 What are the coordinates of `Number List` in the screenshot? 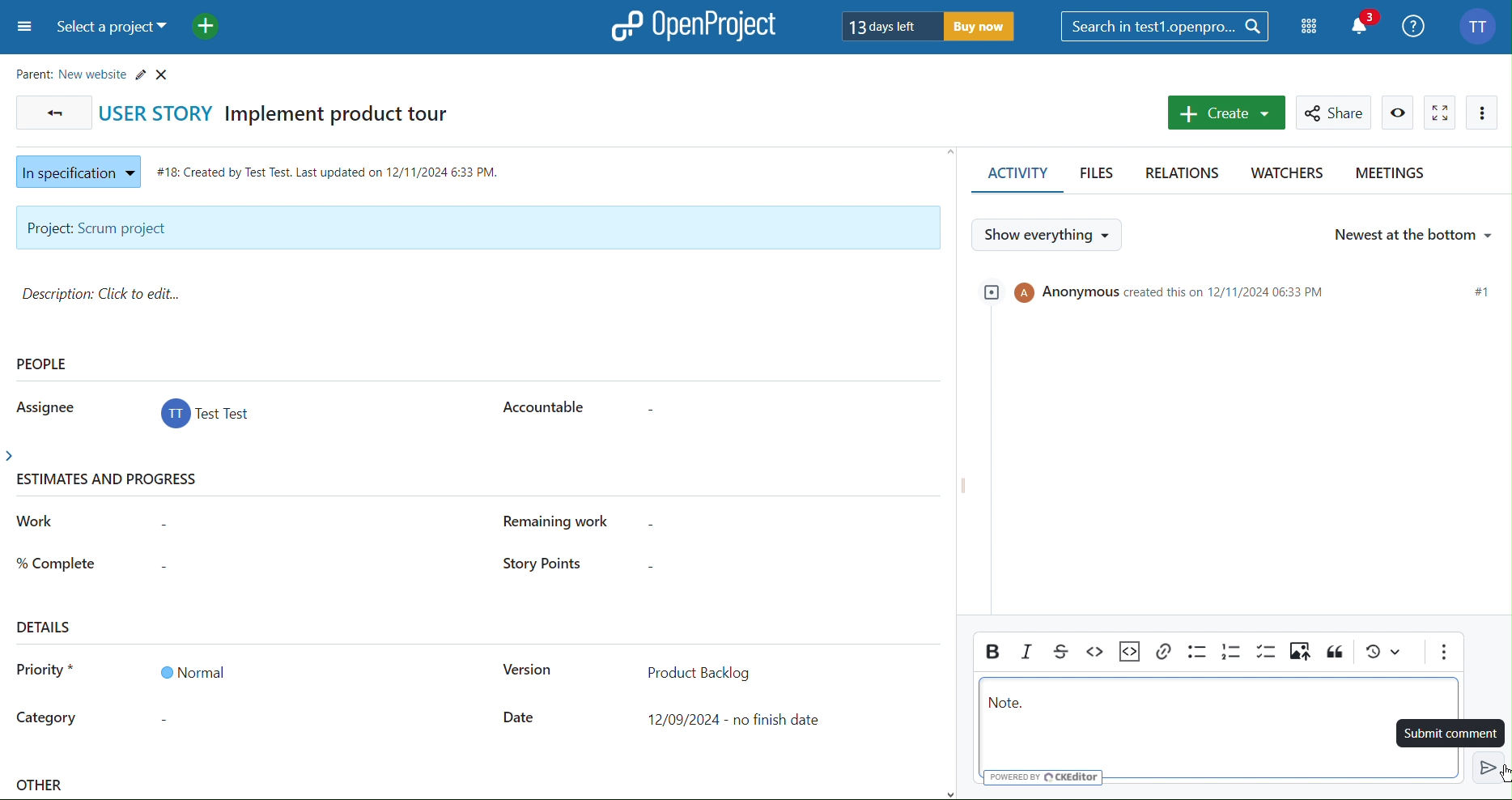 It's located at (1232, 653).